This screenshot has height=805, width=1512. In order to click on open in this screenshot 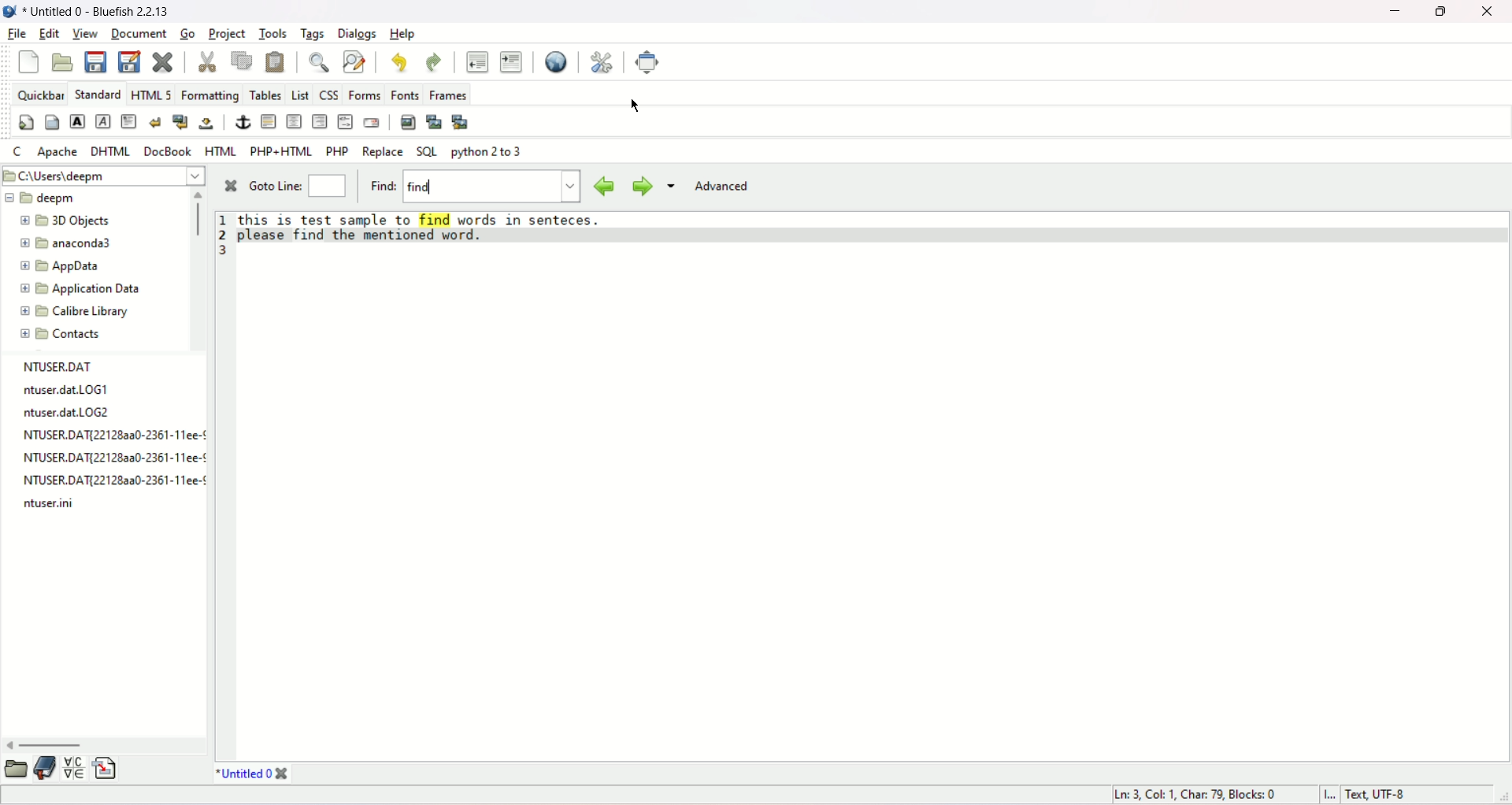, I will do `click(13, 772)`.